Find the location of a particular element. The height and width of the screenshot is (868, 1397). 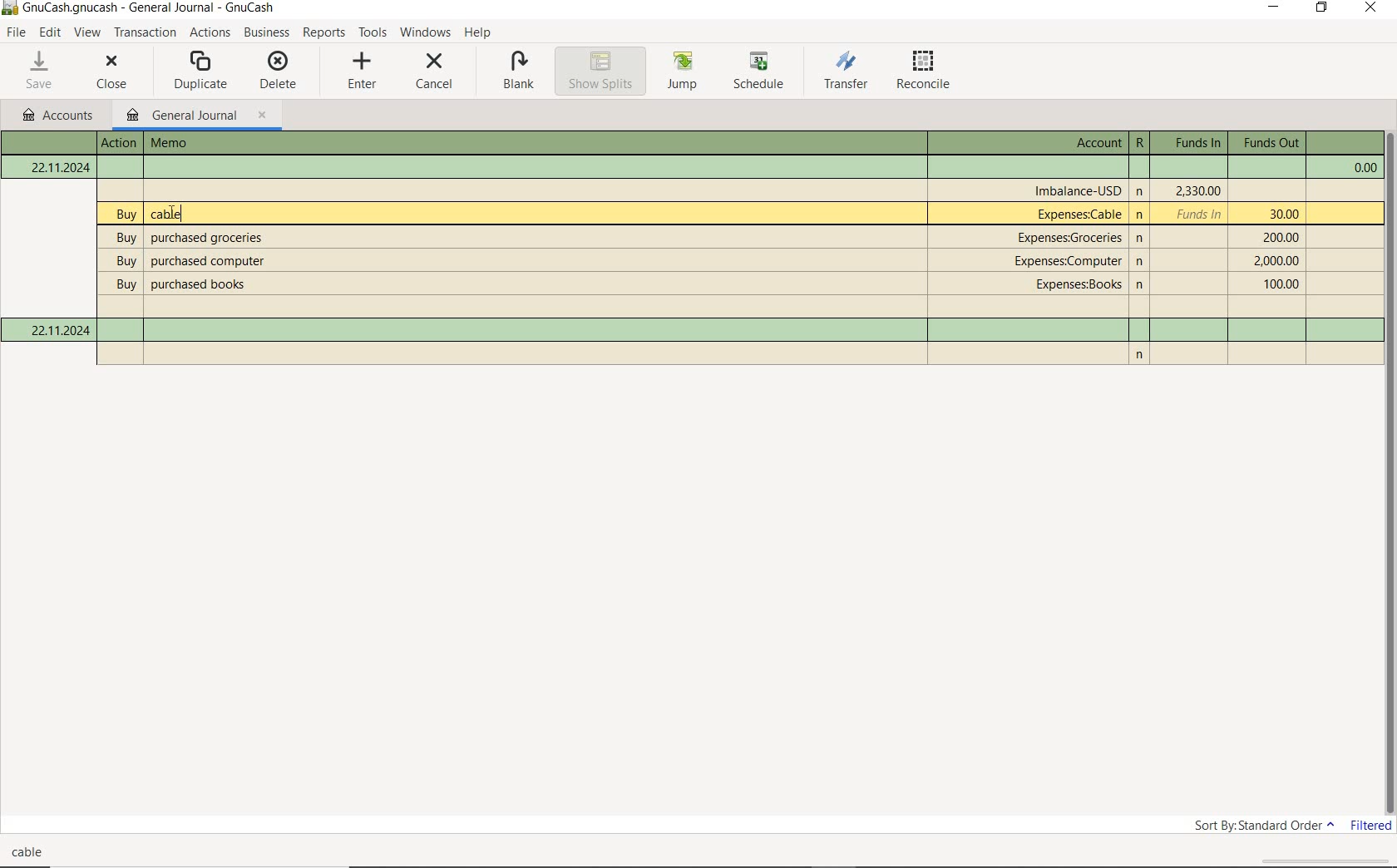

Text is located at coordinates (1187, 143).